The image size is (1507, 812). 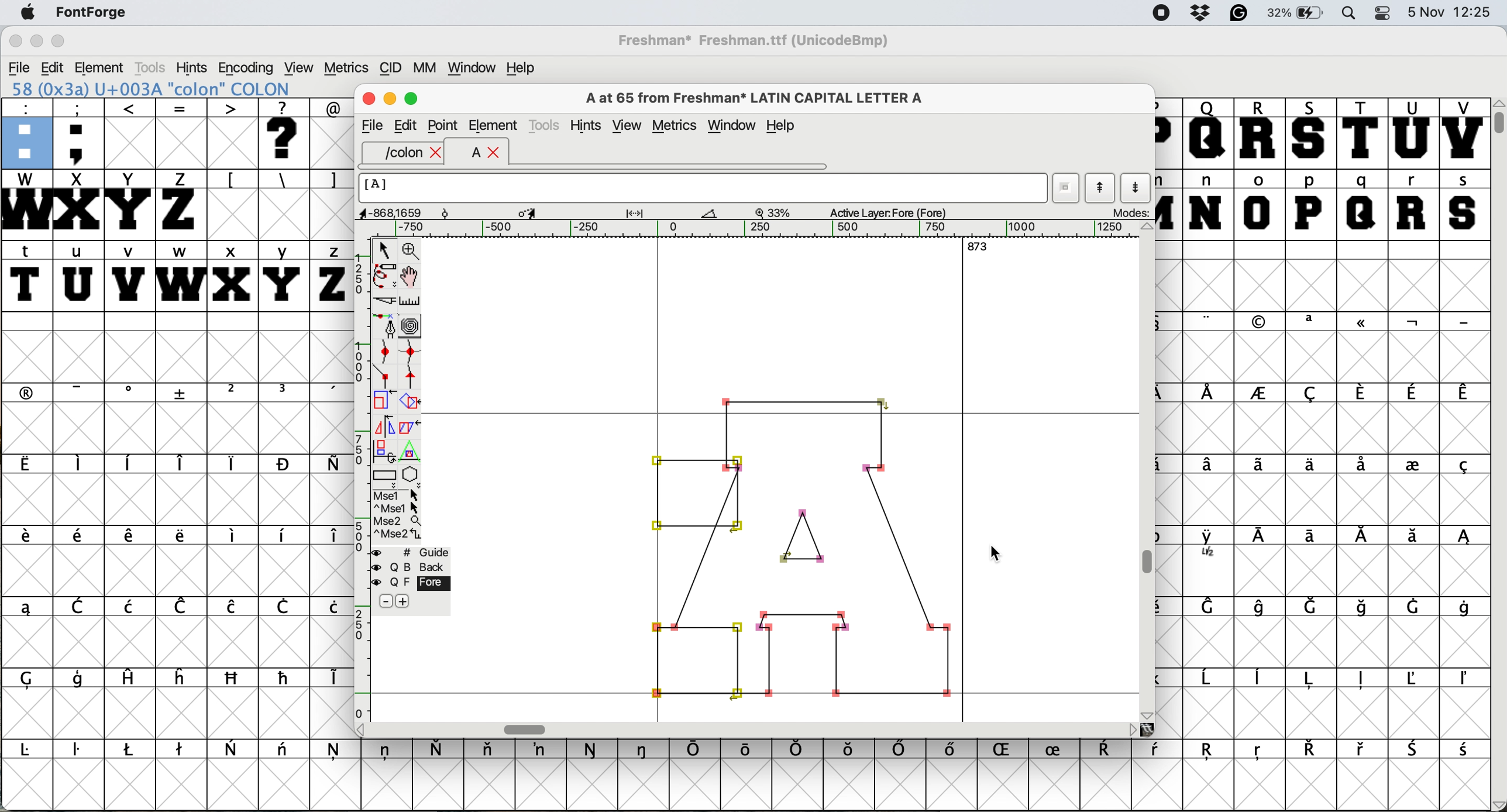 I want to click on symbol, so click(x=285, y=677).